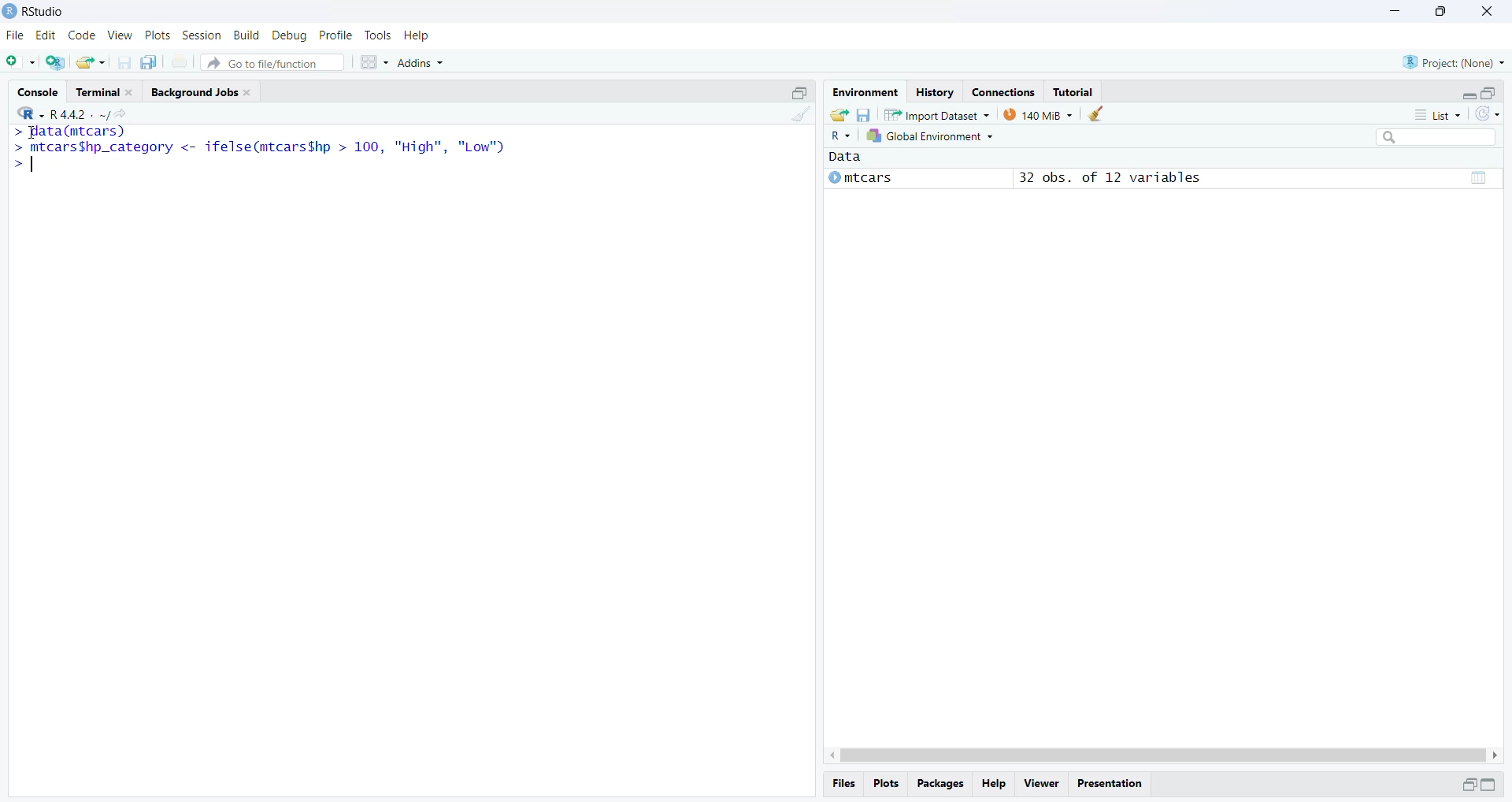 The height and width of the screenshot is (802, 1512). I want to click on File, so click(17, 35).